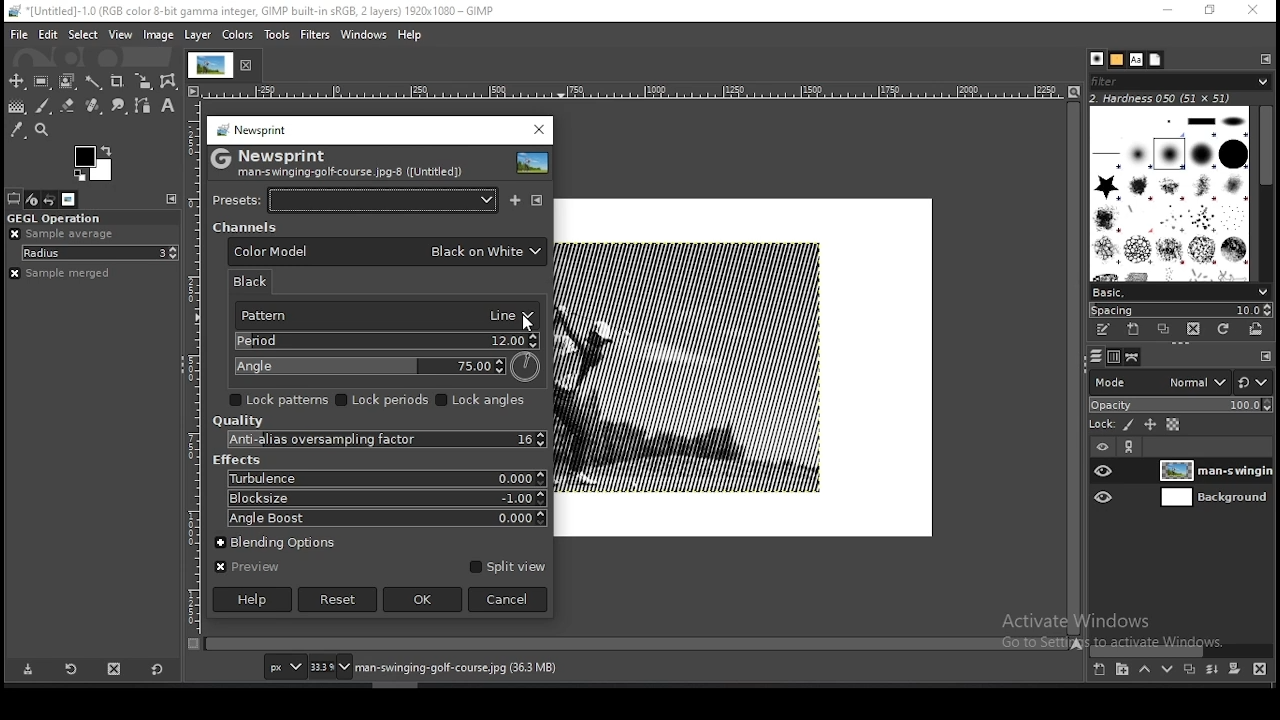 This screenshot has width=1280, height=720. What do you see at coordinates (538, 130) in the screenshot?
I see `close window` at bounding box center [538, 130].